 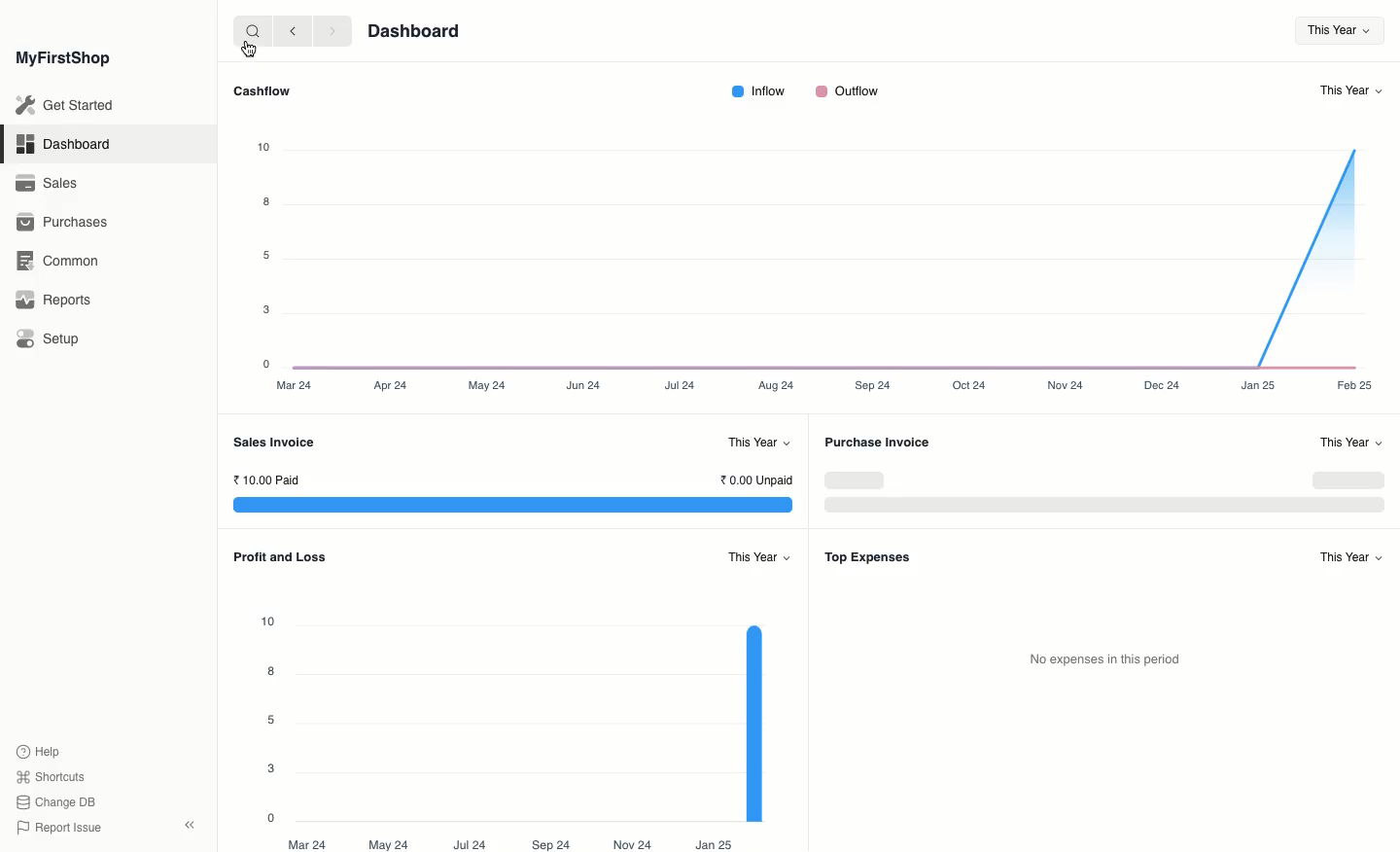 What do you see at coordinates (1337, 30) in the screenshot?
I see `This Year` at bounding box center [1337, 30].